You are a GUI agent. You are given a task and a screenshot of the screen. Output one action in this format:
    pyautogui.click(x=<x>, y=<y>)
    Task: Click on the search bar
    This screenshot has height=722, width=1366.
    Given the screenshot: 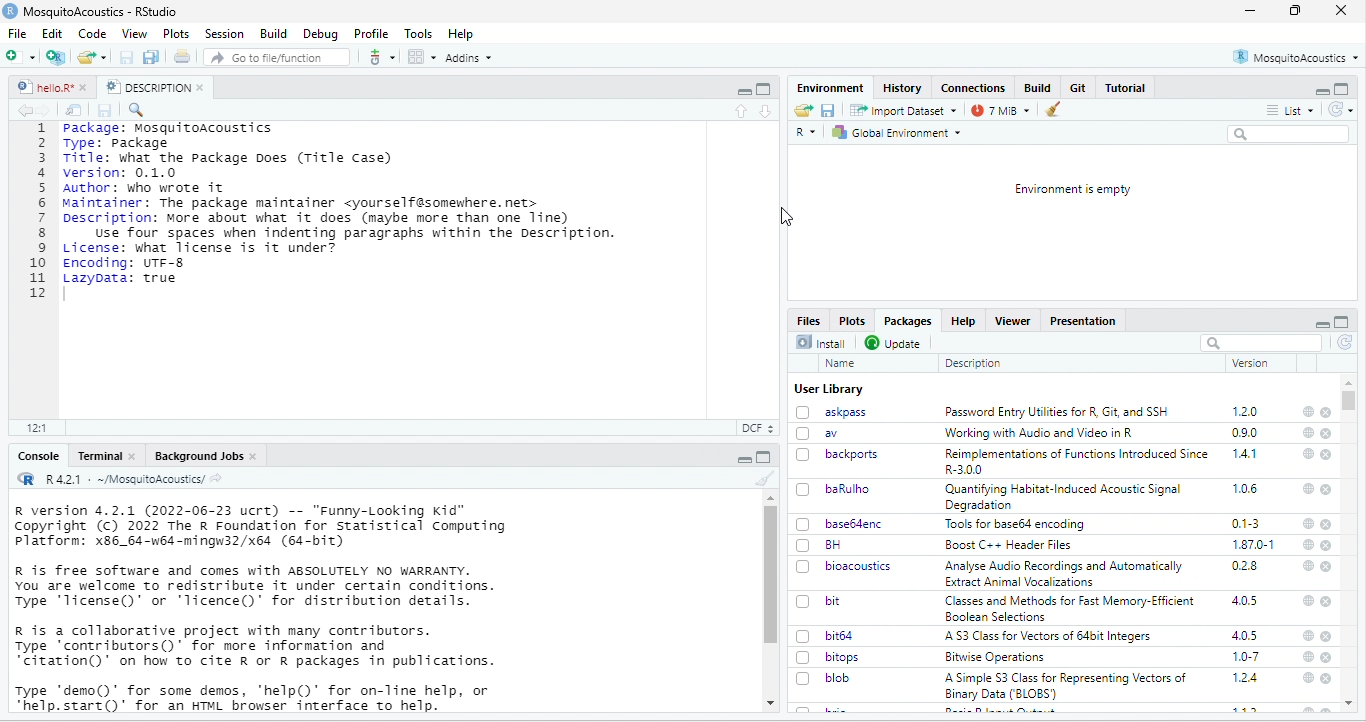 What is the action you would take?
    pyautogui.click(x=1262, y=342)
    